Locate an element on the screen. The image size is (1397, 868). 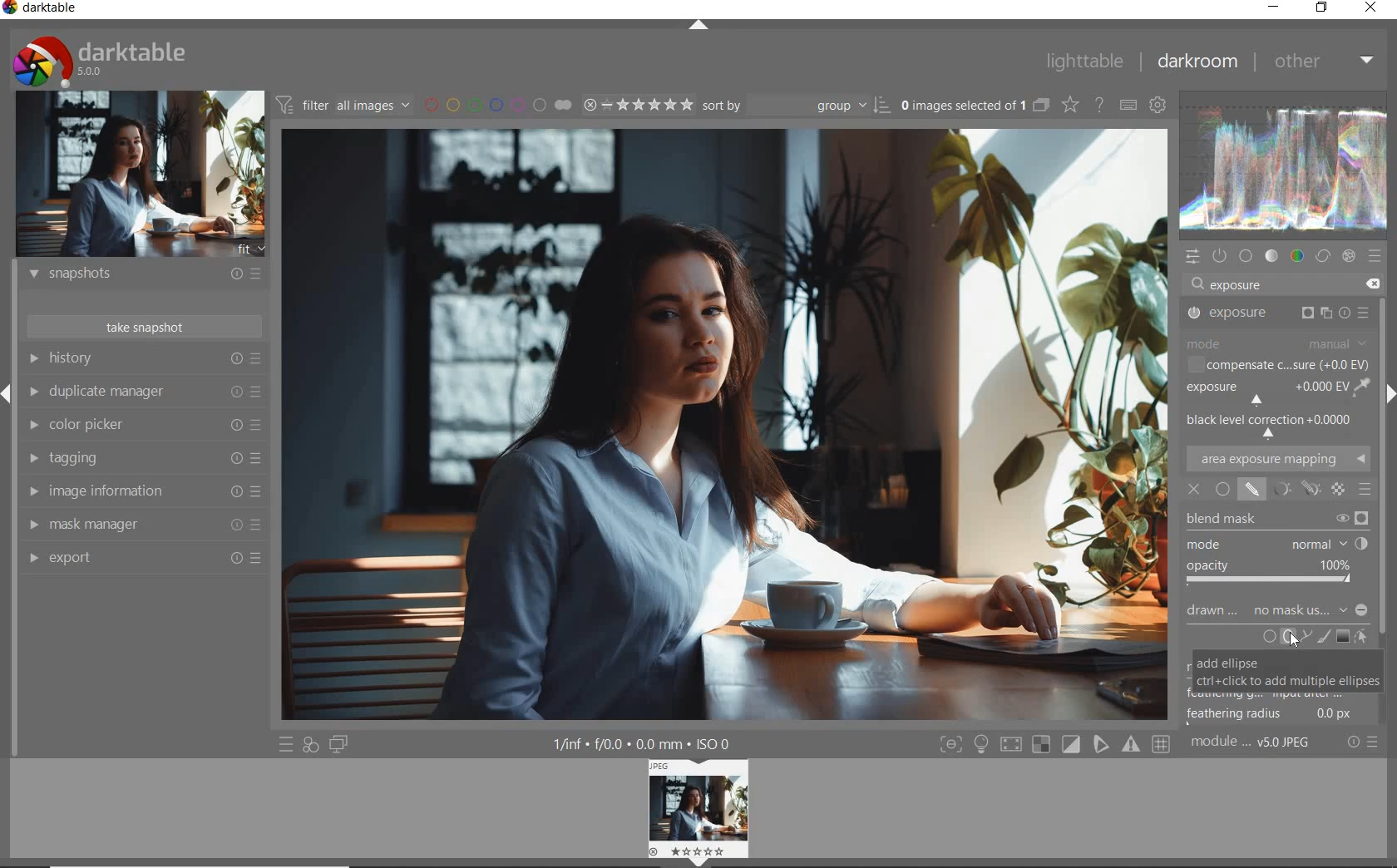
SHOW AND EDIT MASK ELEMNTS is located at coordinates (1360, 637).